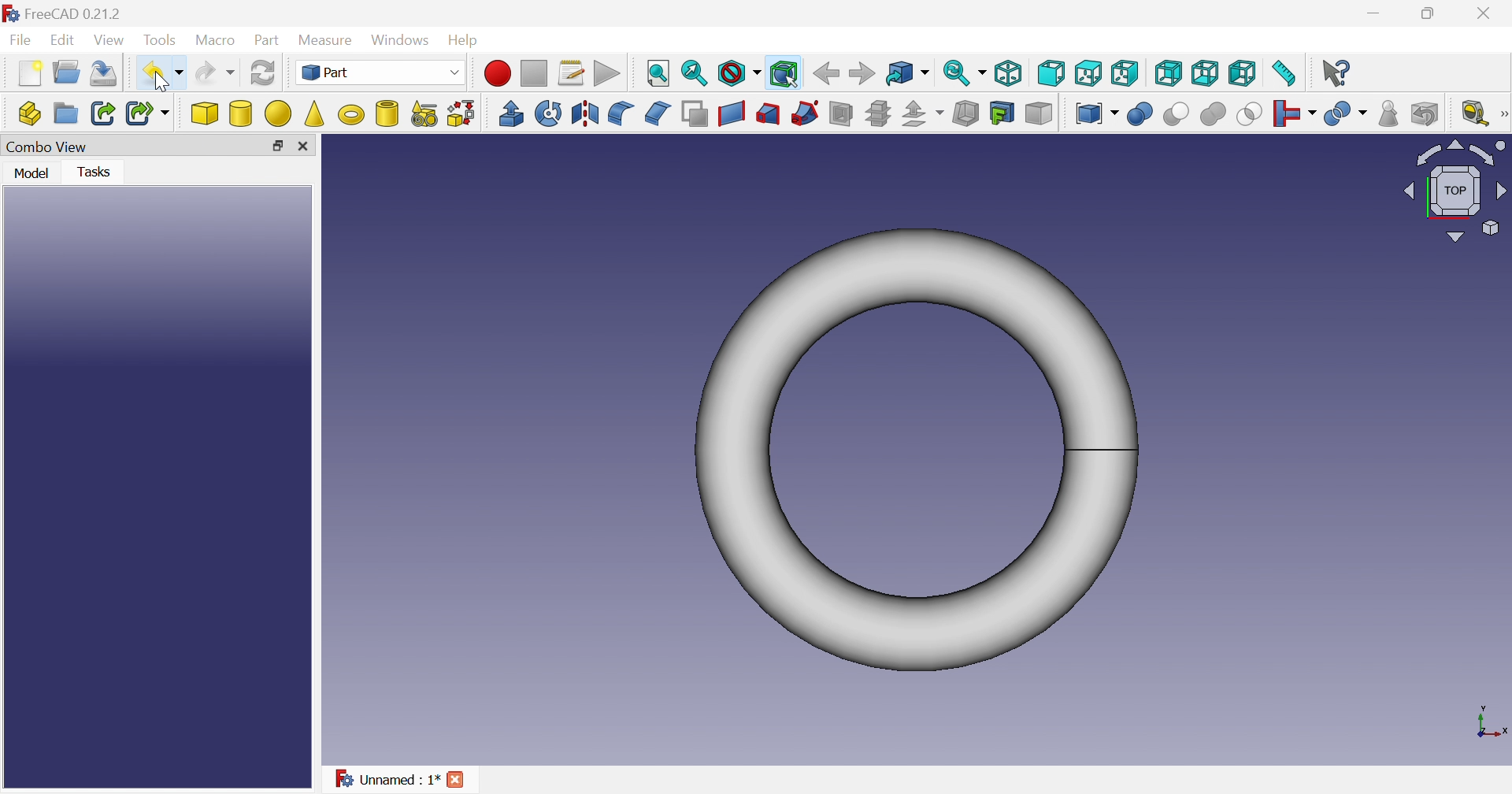 This screenshot has height=794, width=1512. I want to click on Revolve..., so click(547, 113).